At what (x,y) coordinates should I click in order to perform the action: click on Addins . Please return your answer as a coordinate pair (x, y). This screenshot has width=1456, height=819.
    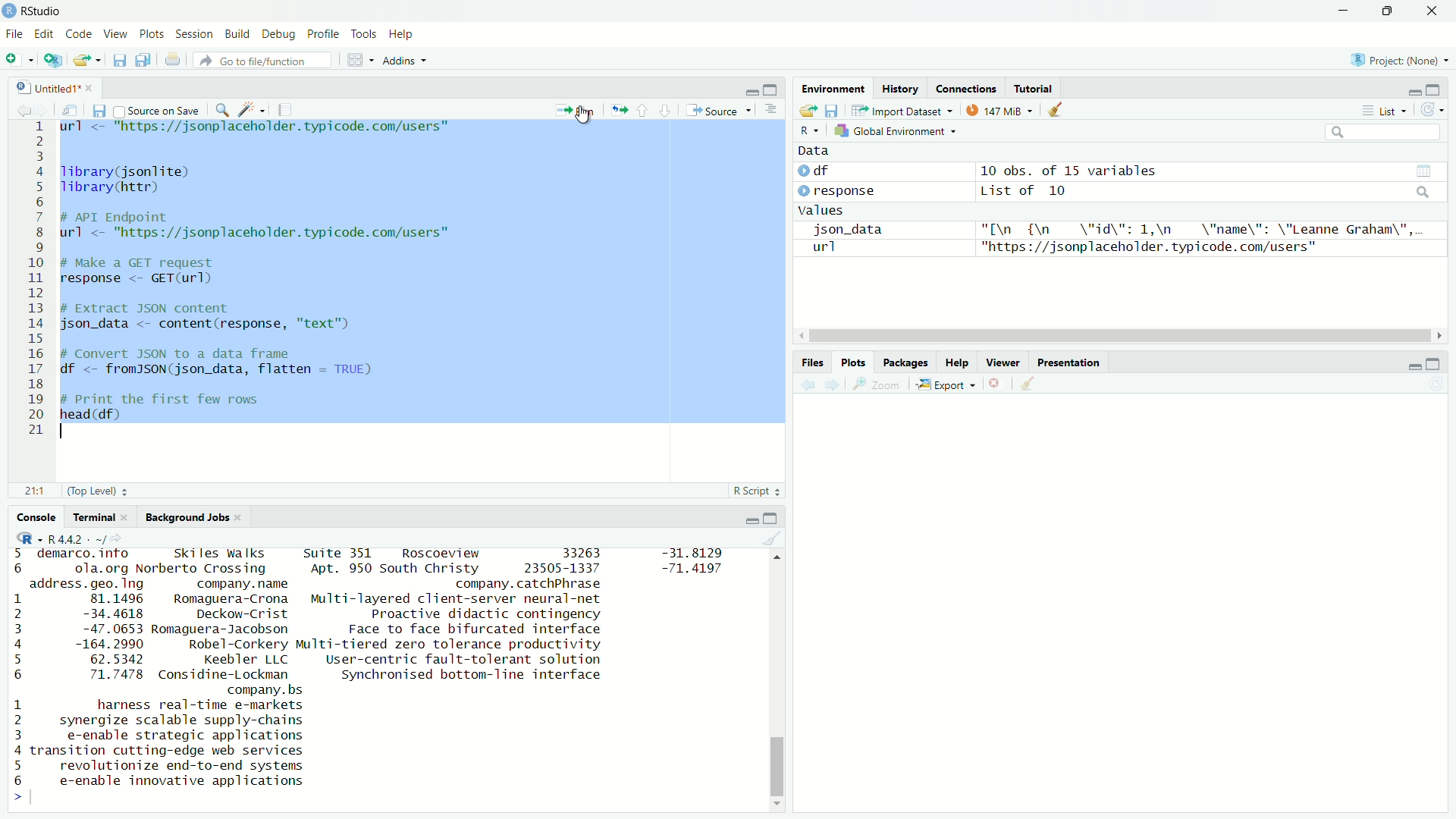
    Looking at the image, I should click on (407, 60).